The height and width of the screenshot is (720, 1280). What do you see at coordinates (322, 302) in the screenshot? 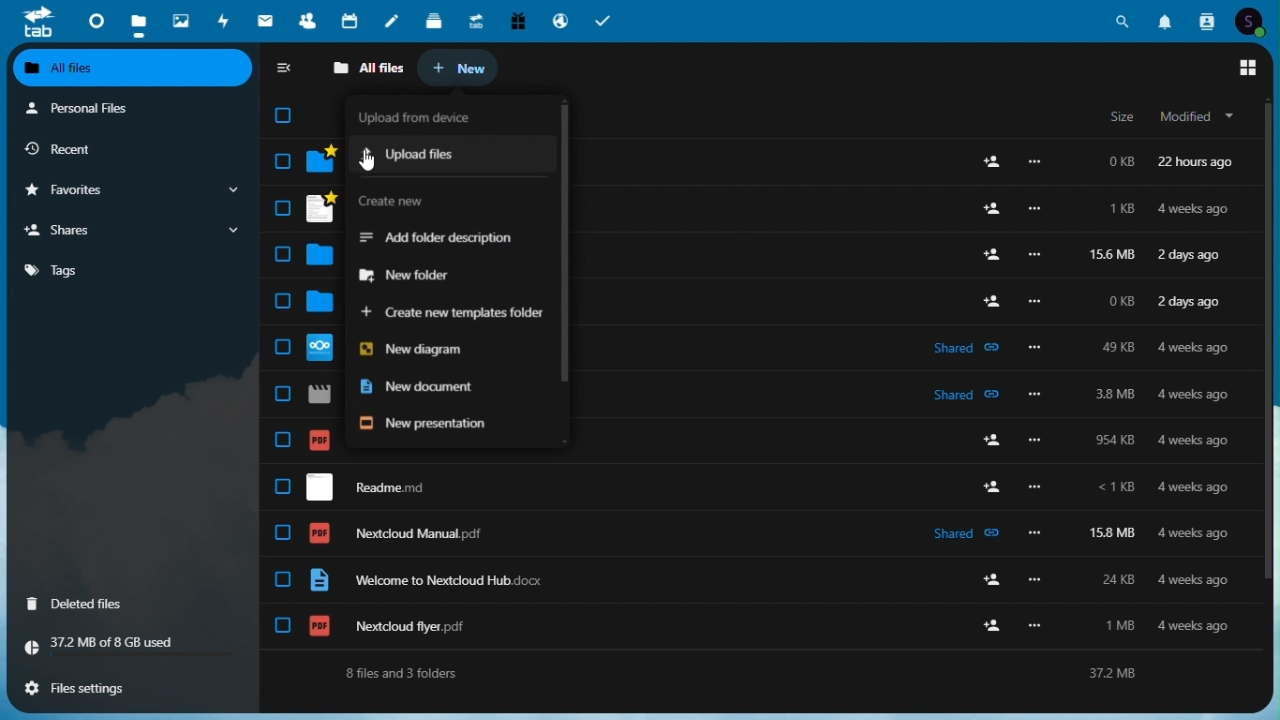
I see `folder` at bounding box center [322, 302].